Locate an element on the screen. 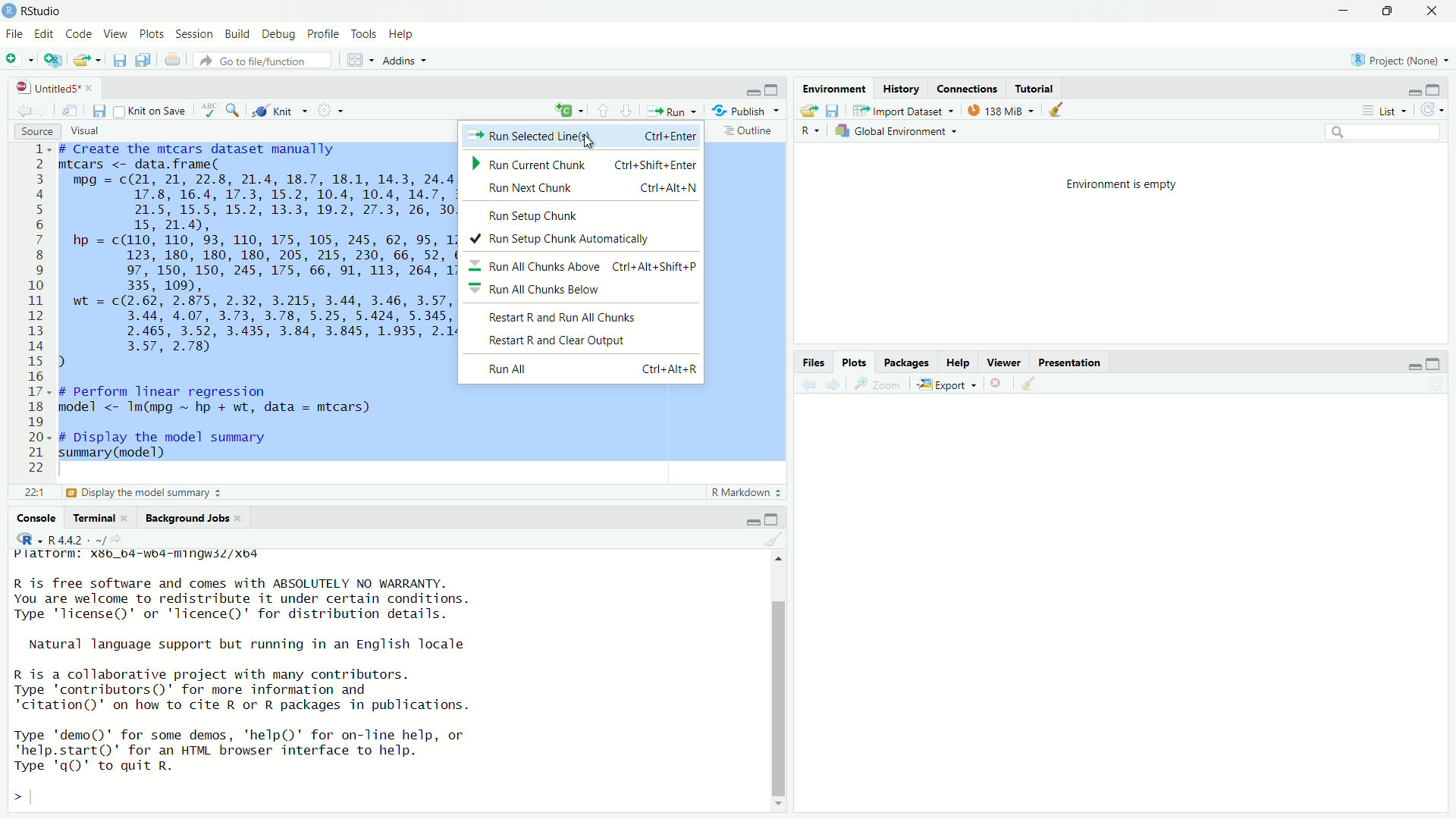  Console is located at coordinates (36, 519).